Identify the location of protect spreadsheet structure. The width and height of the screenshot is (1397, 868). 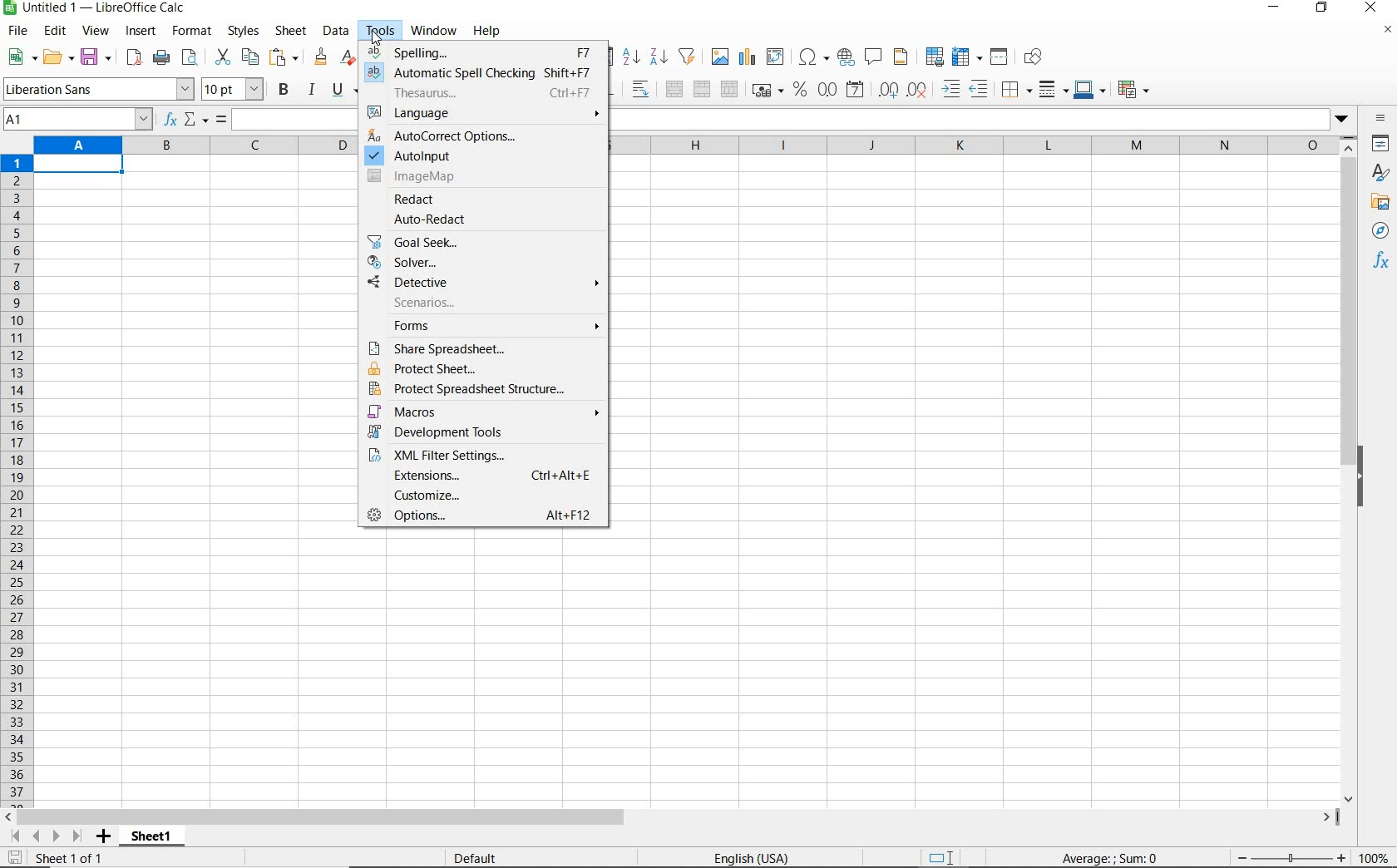
(483, 391).